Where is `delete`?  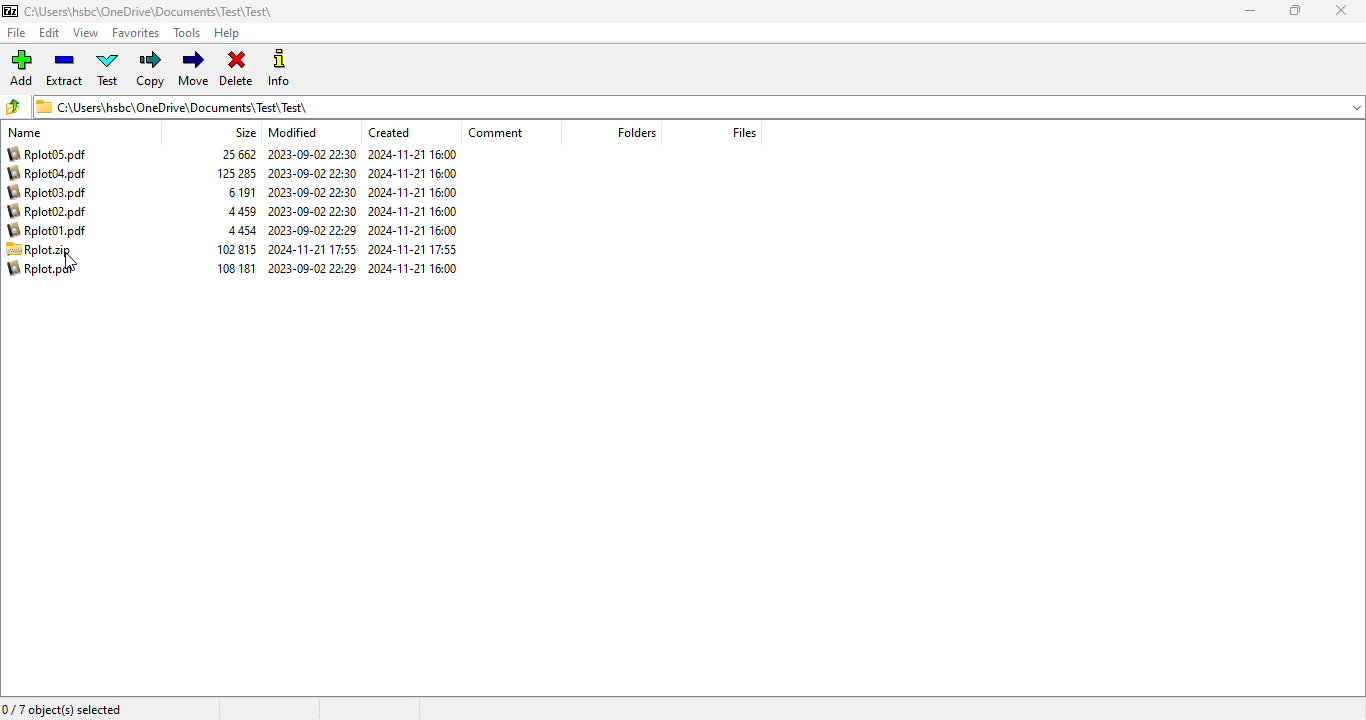
delete is located at coordinates (236, 66).